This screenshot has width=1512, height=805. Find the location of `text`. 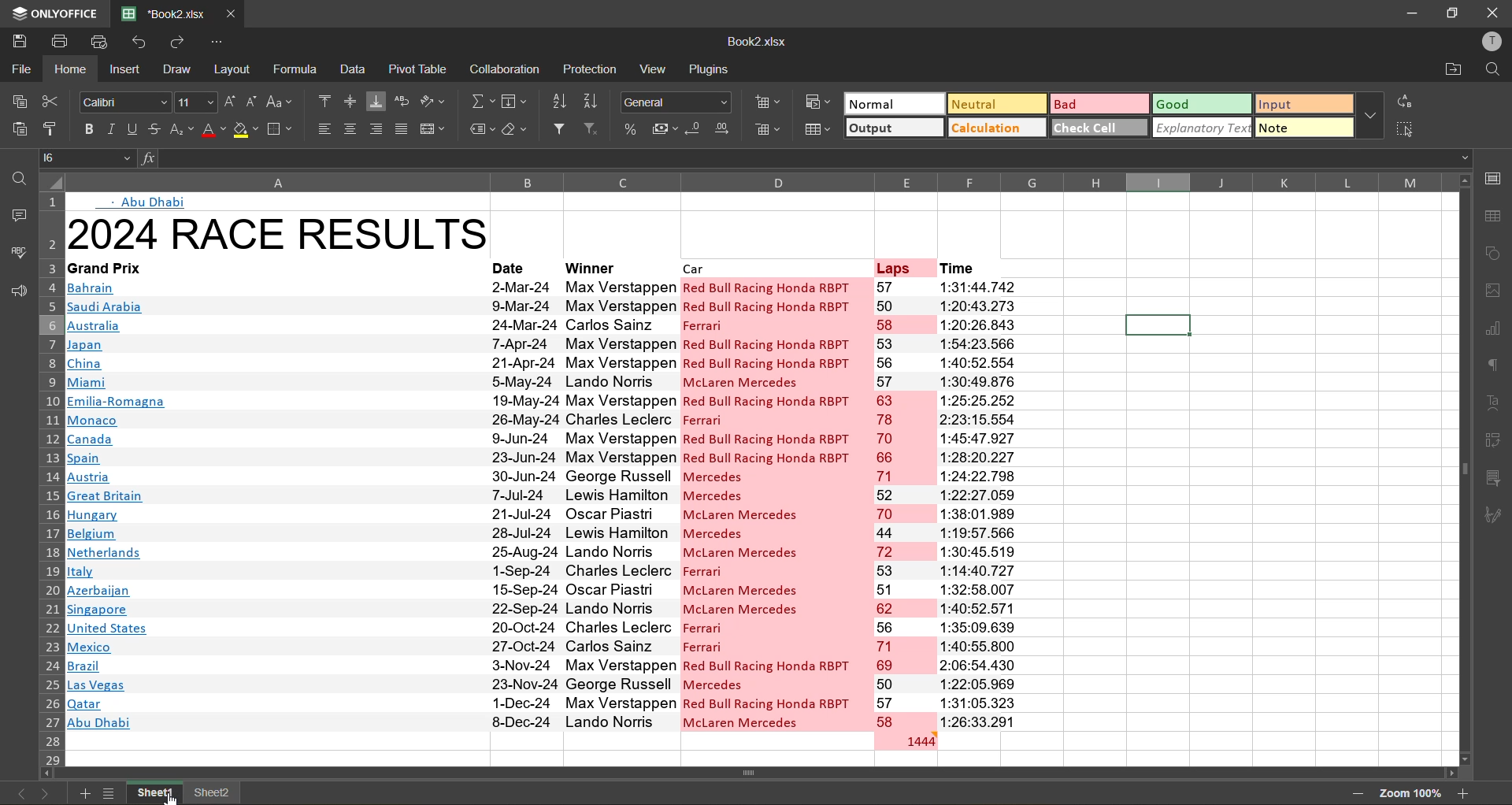

text is located at coordinates (144, 201).